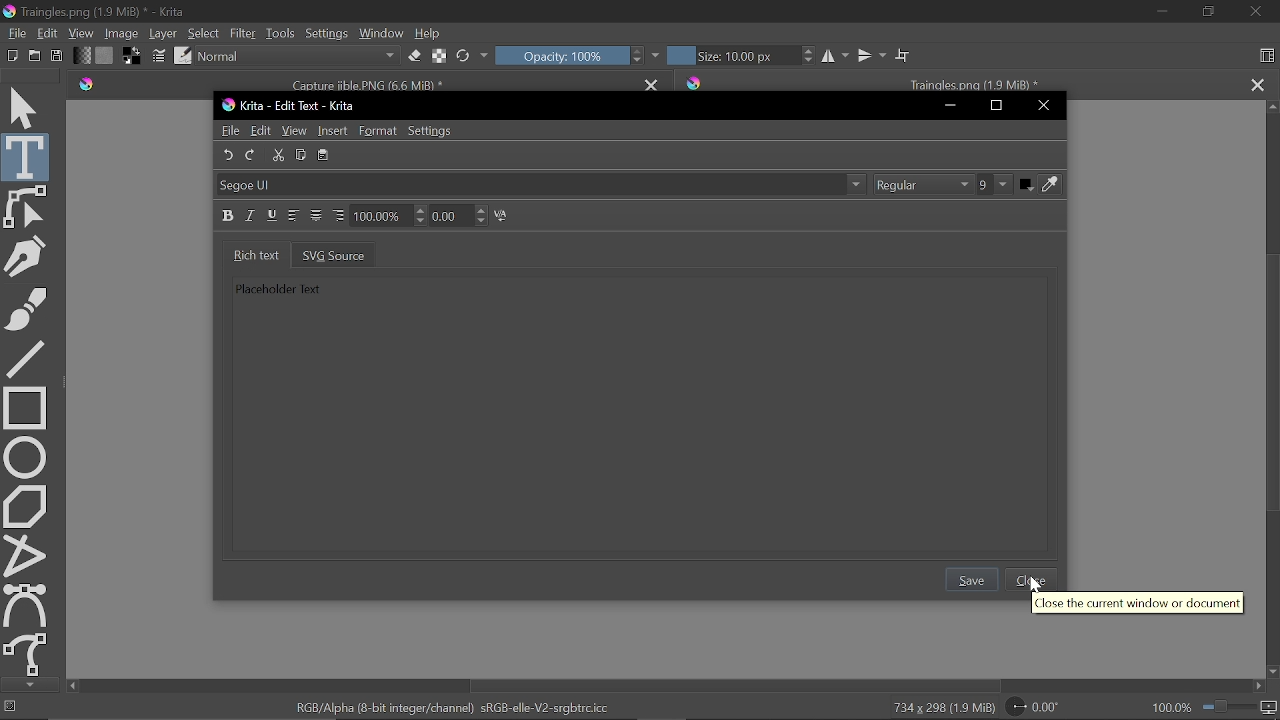  What do you see at coordinates (252, 155) in the screenshot?
I see `Redo` at bounding box center [252, 155].